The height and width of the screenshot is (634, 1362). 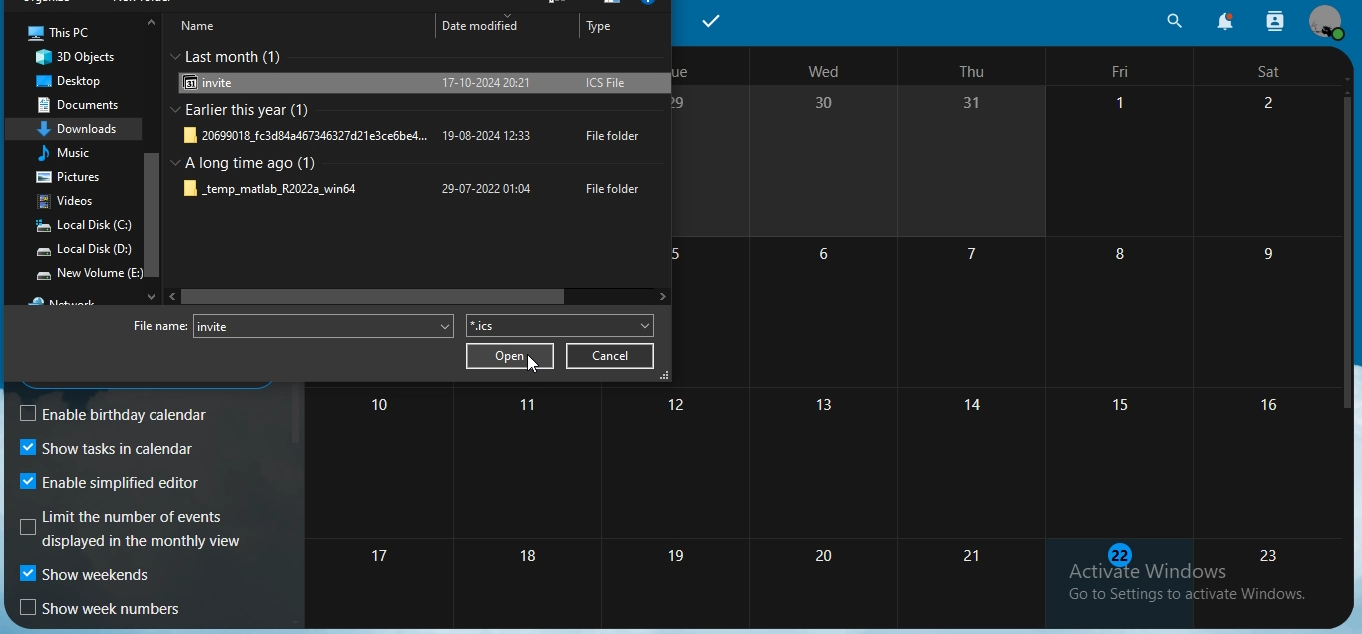 What do you see at coordinates (551, 327) in the screenshot?
I see `file type` at bounding box center [551, 327].